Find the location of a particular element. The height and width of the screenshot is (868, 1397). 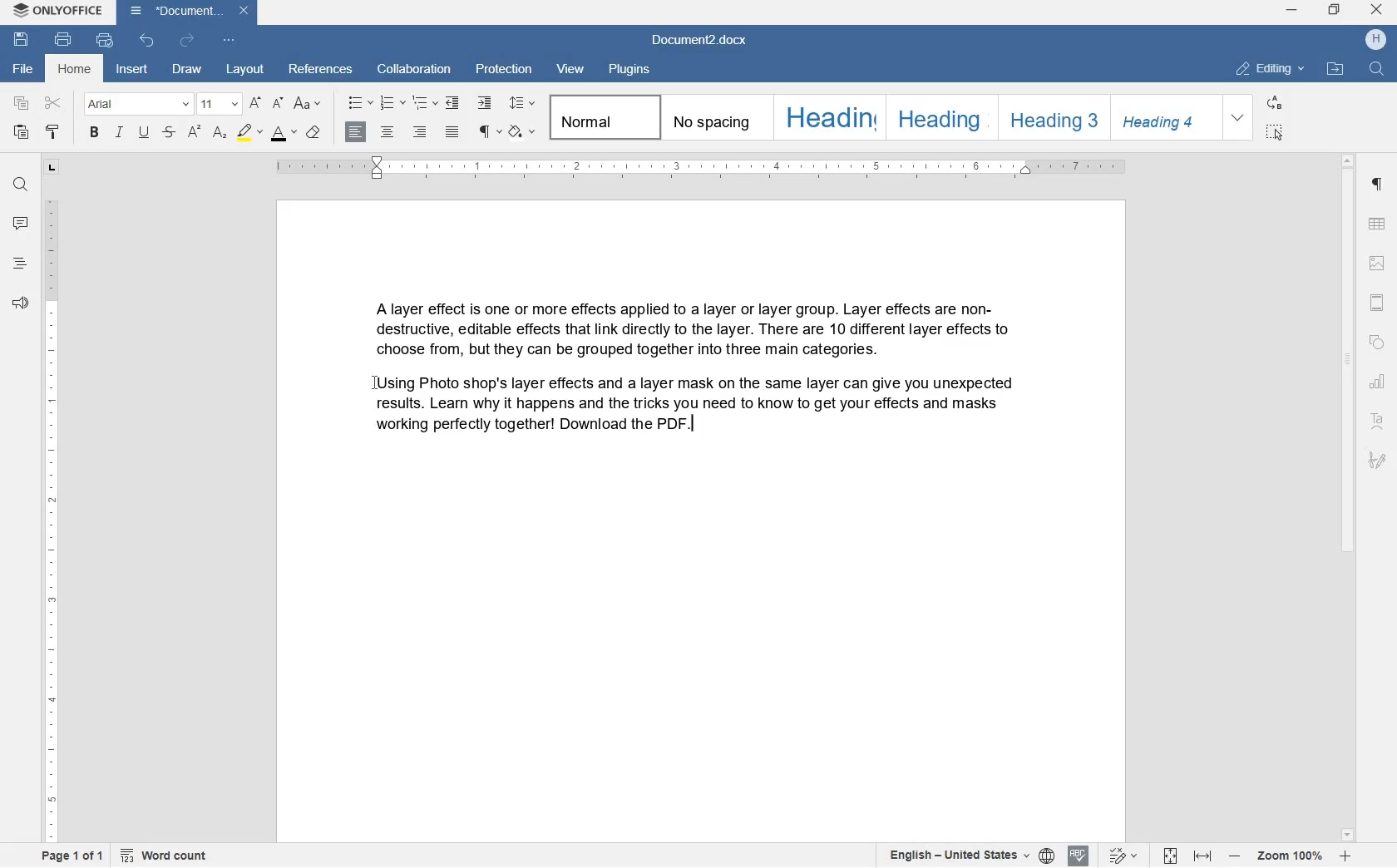

FIND is located at coordinates (1377, 70).